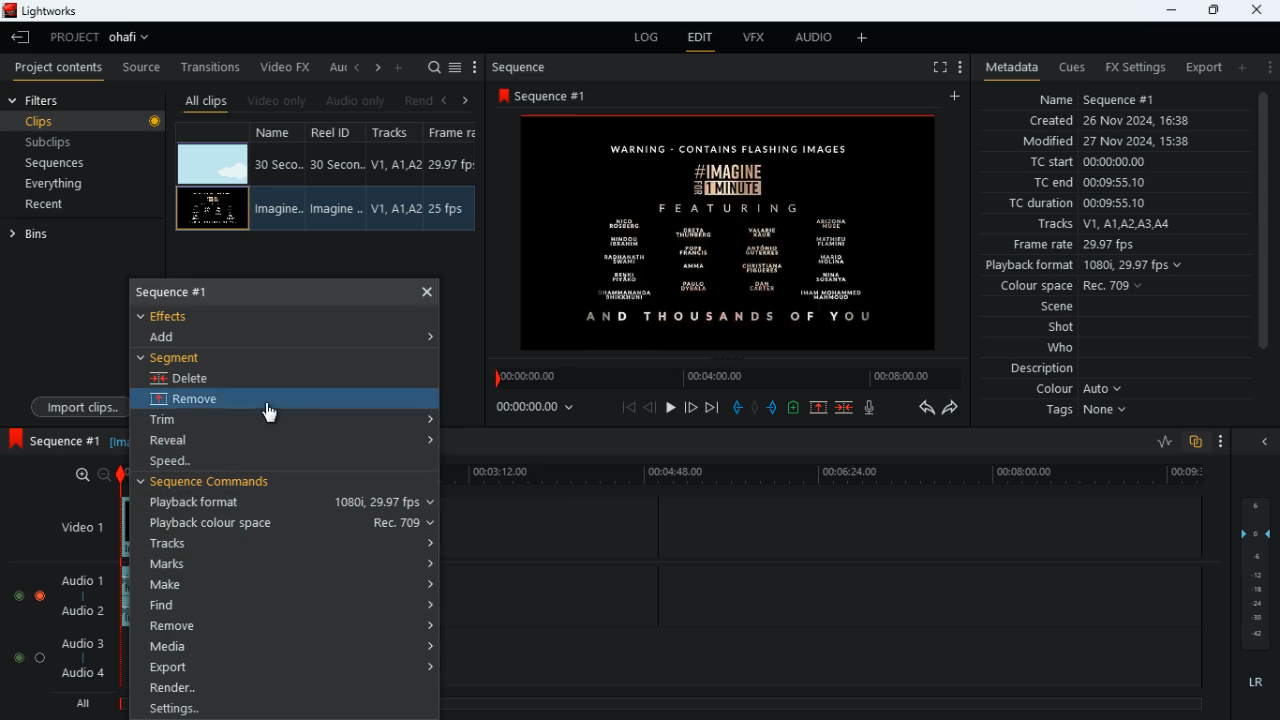 Image resolution: width=1280 pixels, height=720 pixels. Describe the element at coordinates (293, 667) in the screenshot. I see `export` at that location.